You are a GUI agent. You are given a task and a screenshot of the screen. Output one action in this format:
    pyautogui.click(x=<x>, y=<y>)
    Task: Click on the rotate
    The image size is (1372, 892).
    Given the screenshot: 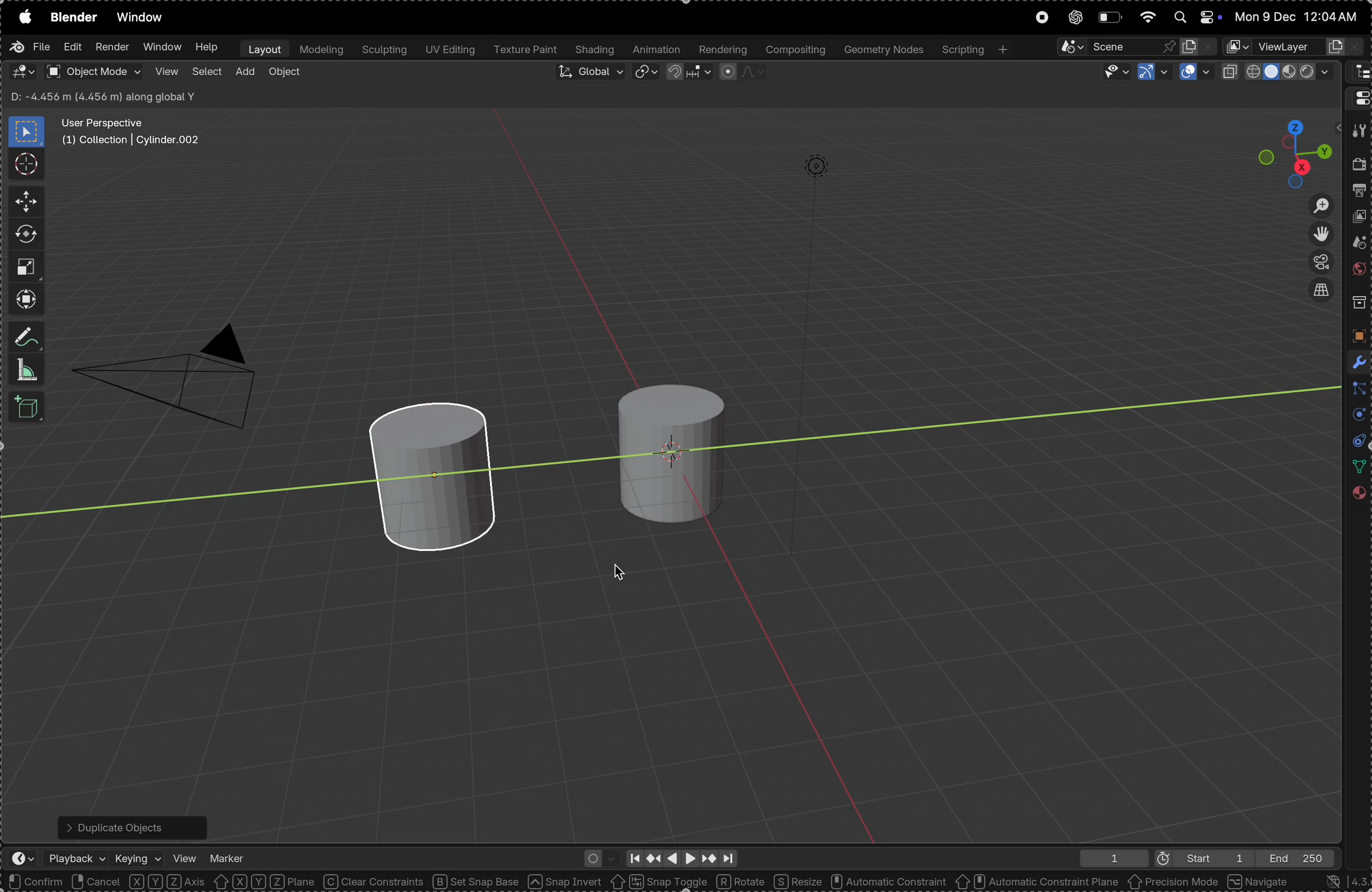 What is the action you would take?
    pyautogui.click(x=742, y=880)
    